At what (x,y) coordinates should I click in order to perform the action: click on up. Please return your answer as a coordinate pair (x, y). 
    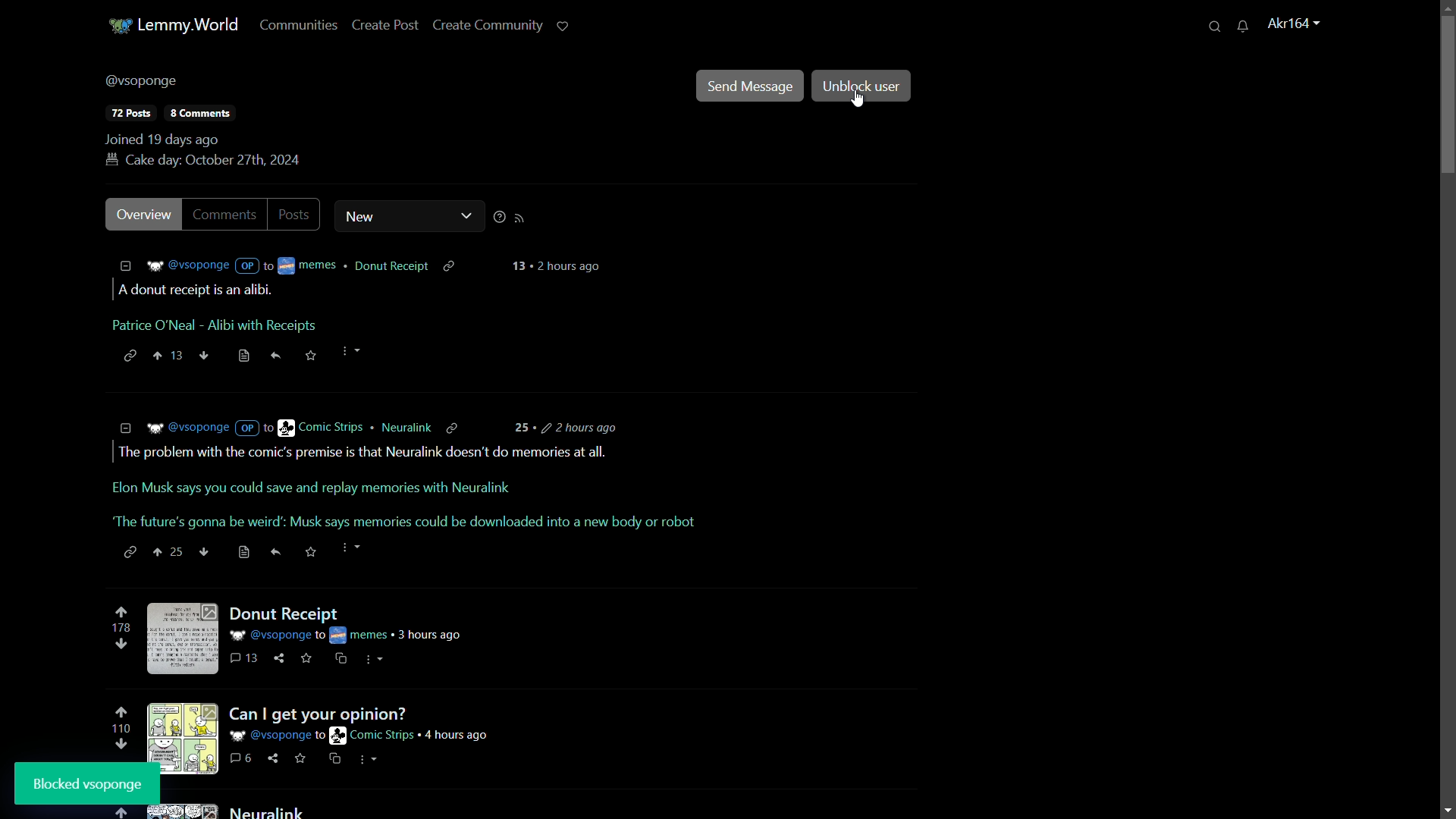
    Looking at the image, I should click on (172, 355).